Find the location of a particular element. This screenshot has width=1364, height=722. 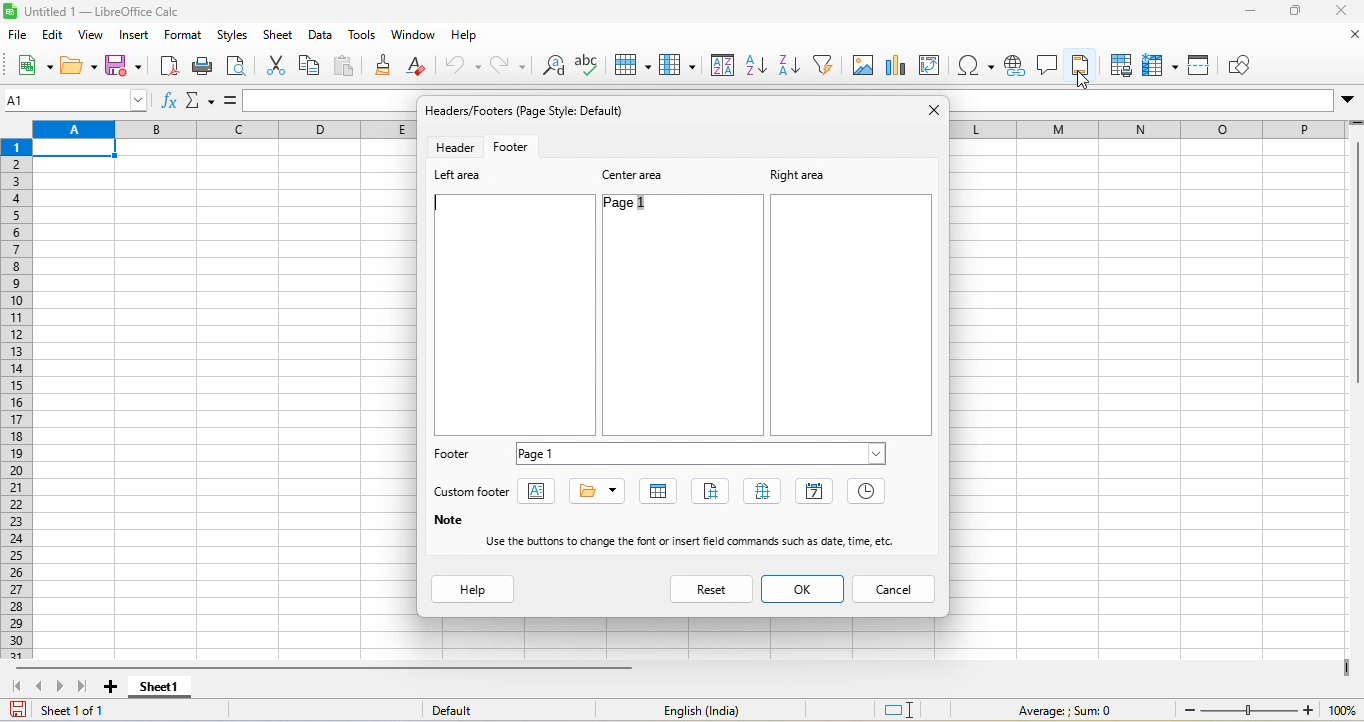

redo is located at coordinates (506, 67).